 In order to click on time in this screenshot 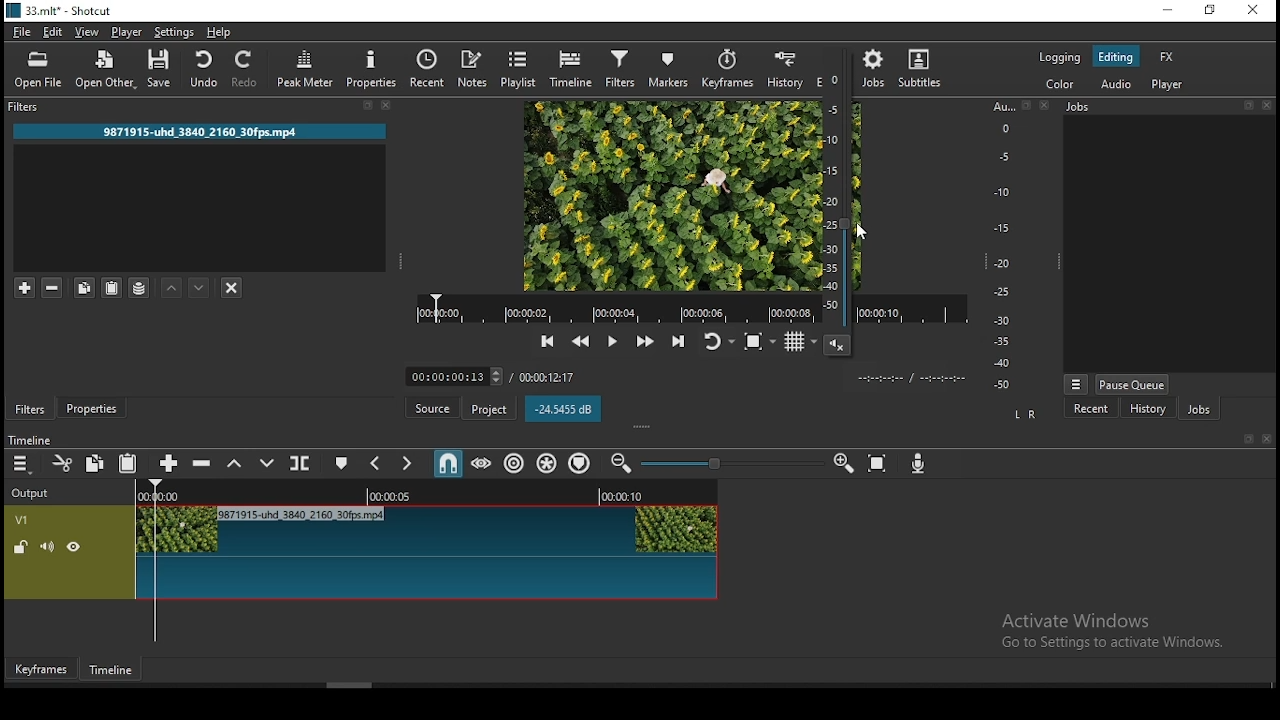, I will do `click(920, 377)`.